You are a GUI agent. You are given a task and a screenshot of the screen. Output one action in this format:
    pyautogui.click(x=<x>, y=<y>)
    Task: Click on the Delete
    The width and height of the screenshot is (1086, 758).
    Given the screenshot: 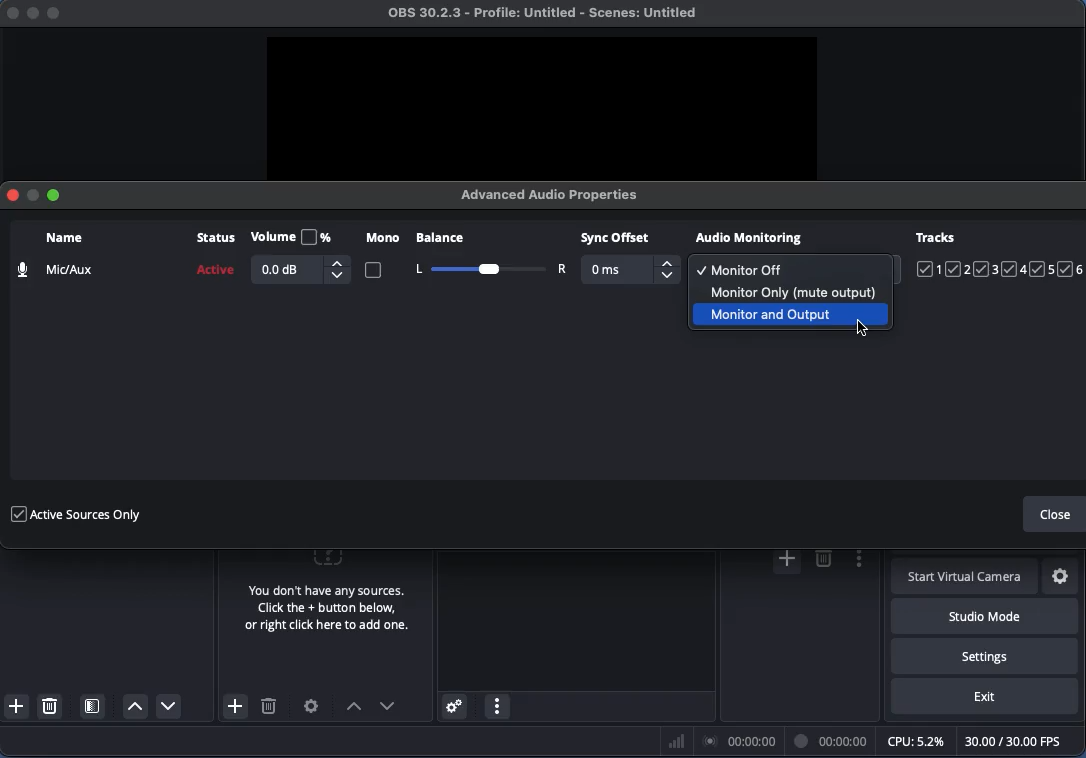 What is the action you would take?
    pyautogui.click(x=269, y=709)
    